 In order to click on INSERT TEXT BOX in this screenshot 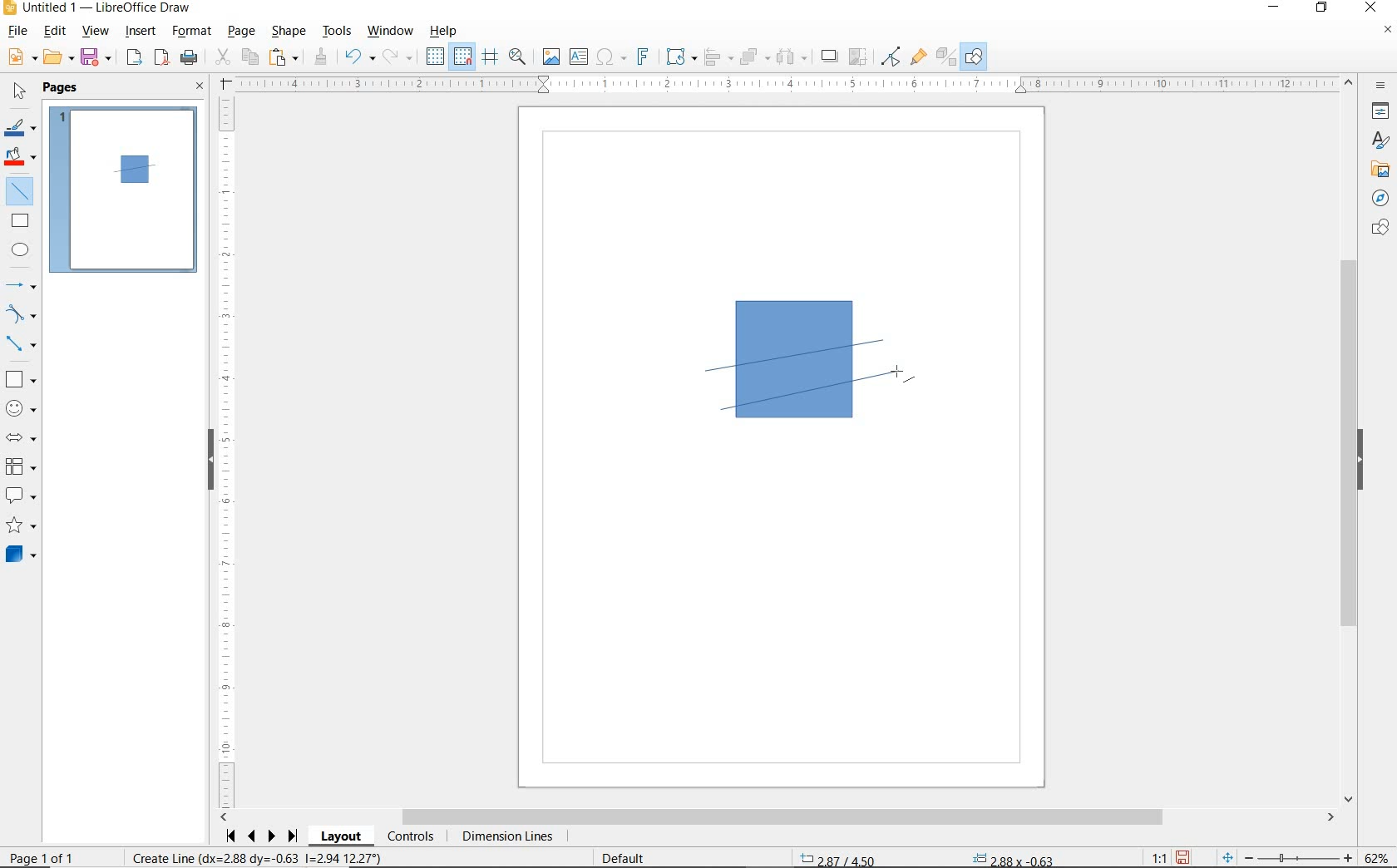, I will do `click(578, 57)`.